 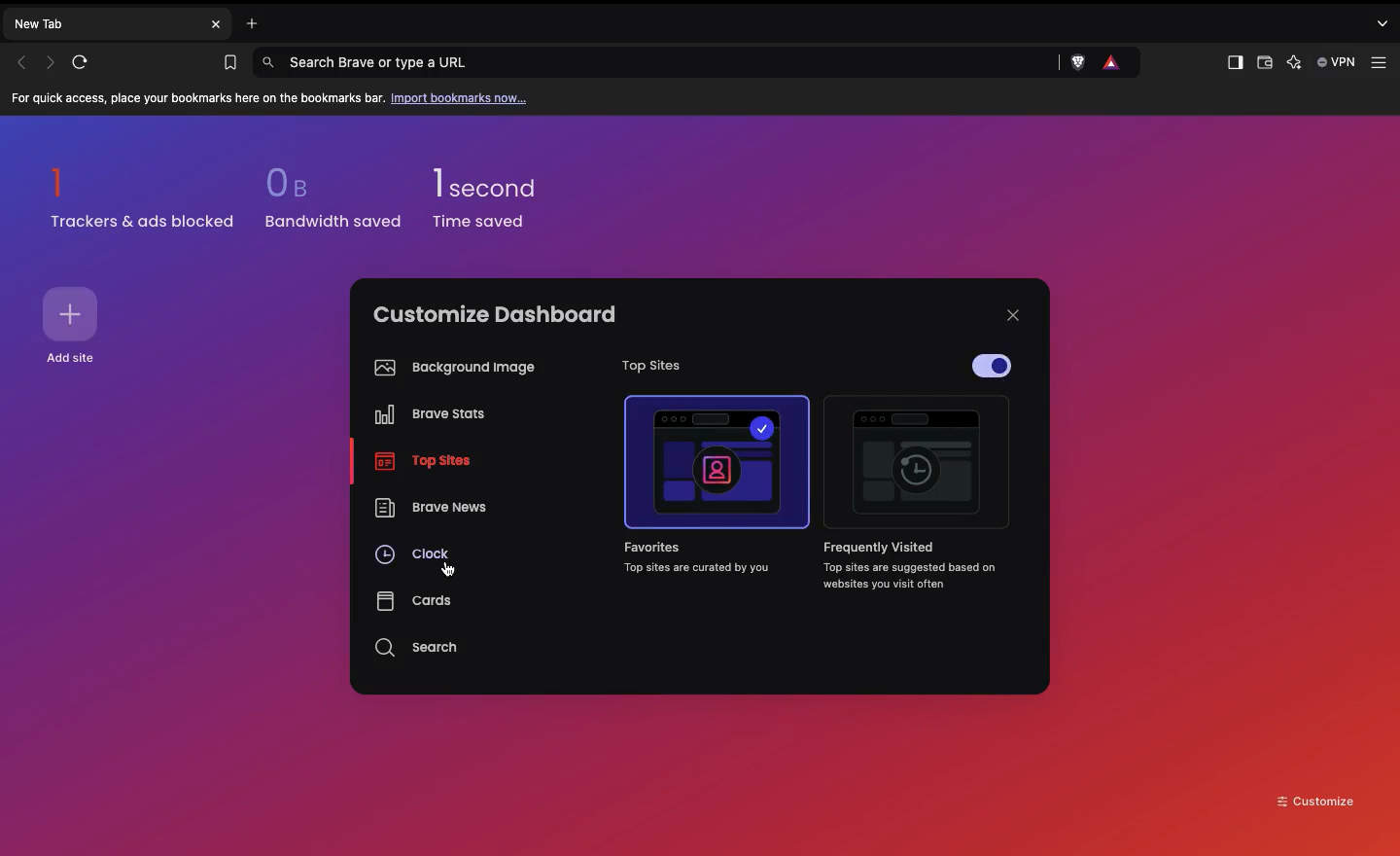 What do you see at coordinates (1003, 195) in the screenshot?
I see `New background` at bounding box center [1003, 195].